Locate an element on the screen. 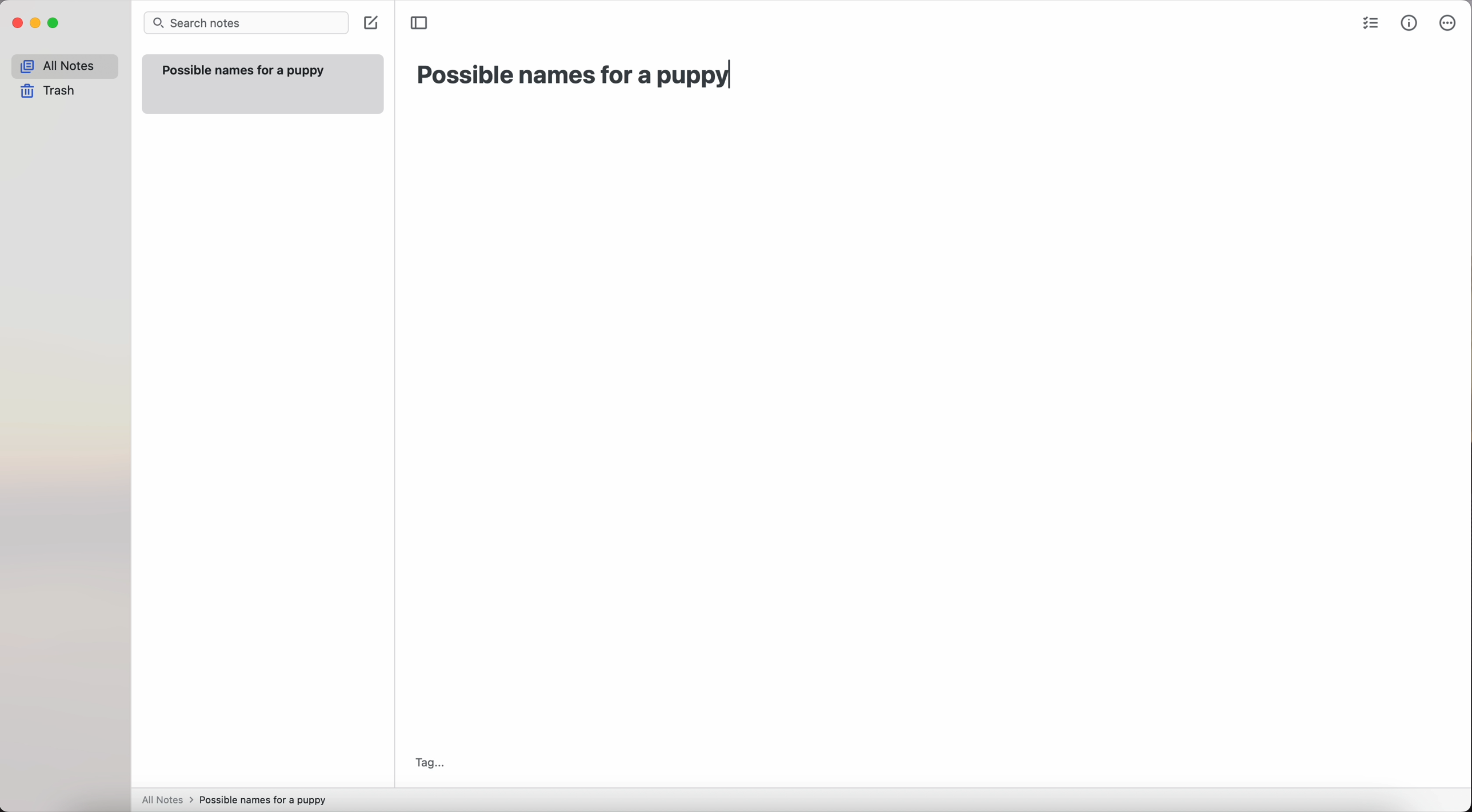  all notes > possible names for a puppy is located at coordinates (238, 799).